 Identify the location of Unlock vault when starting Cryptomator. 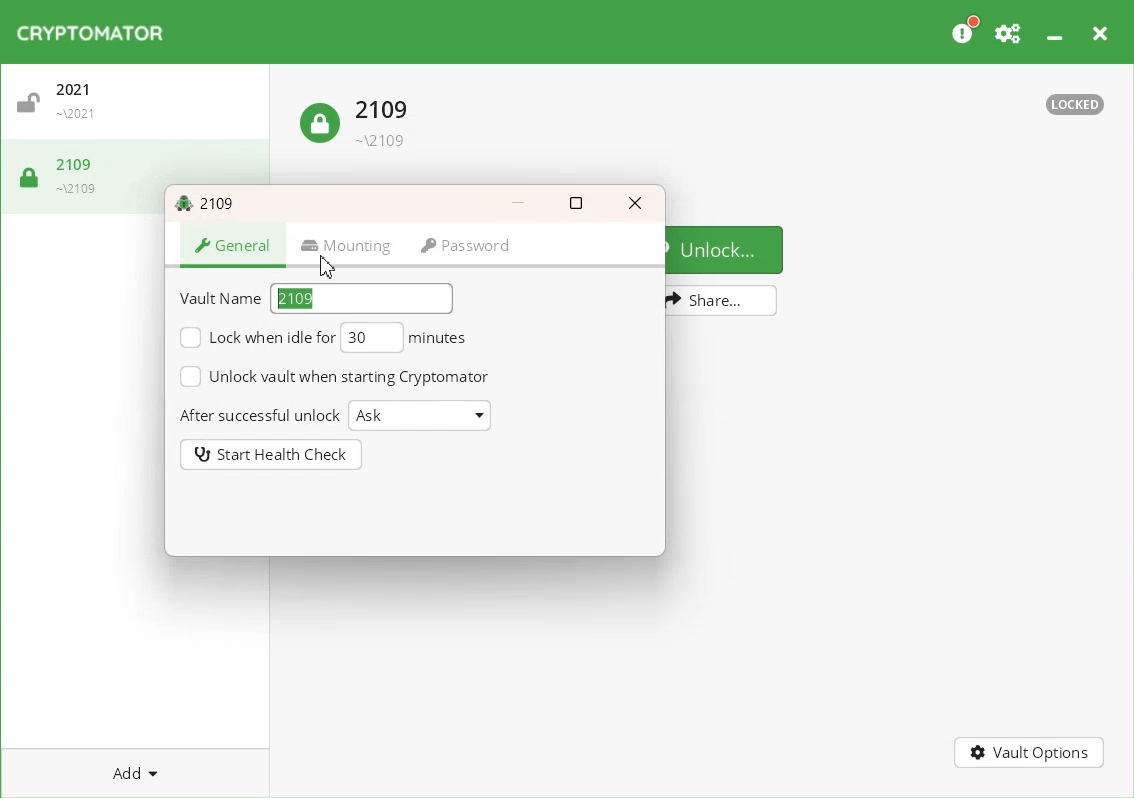
(333, 376).